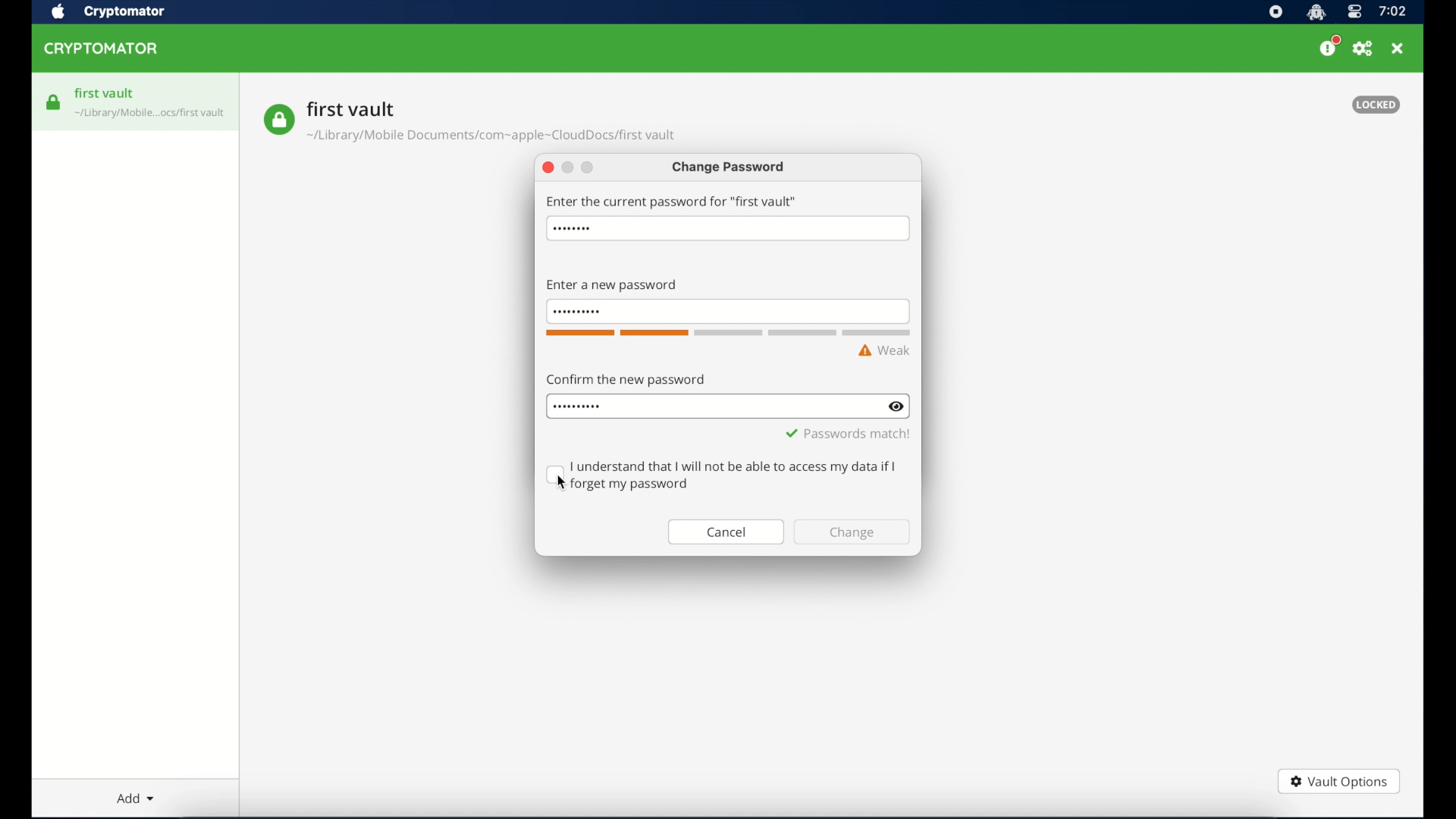 The width and height of the screenshot is (1456, 819). What do you see at coordinates (587, 168) in the screenshot?
I see `maimize` at bounding box center [587, 168].